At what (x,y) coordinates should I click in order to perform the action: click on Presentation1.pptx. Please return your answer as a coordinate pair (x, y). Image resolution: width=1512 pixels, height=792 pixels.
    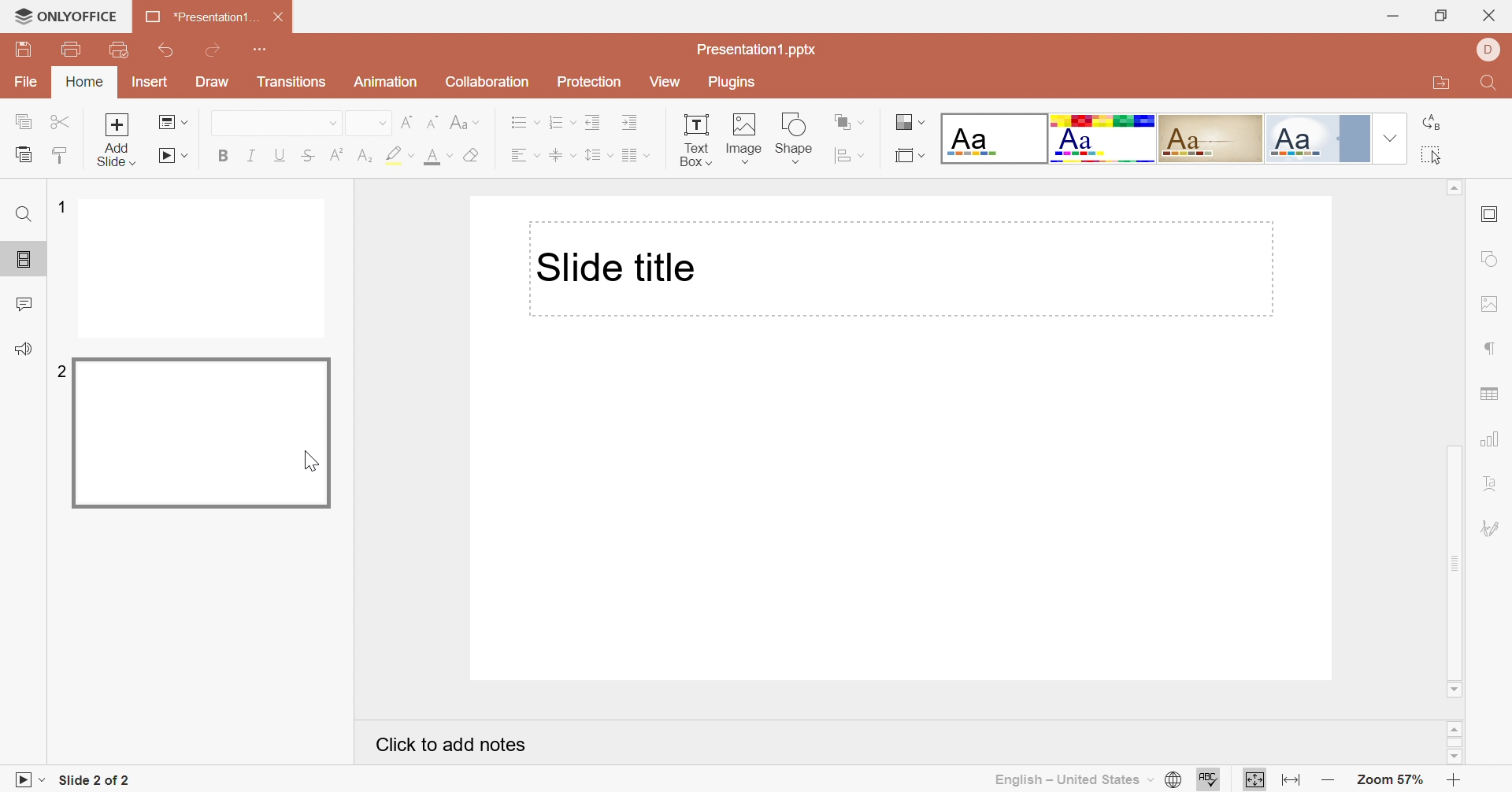
    Looking at the image, I should click on (758, 50).